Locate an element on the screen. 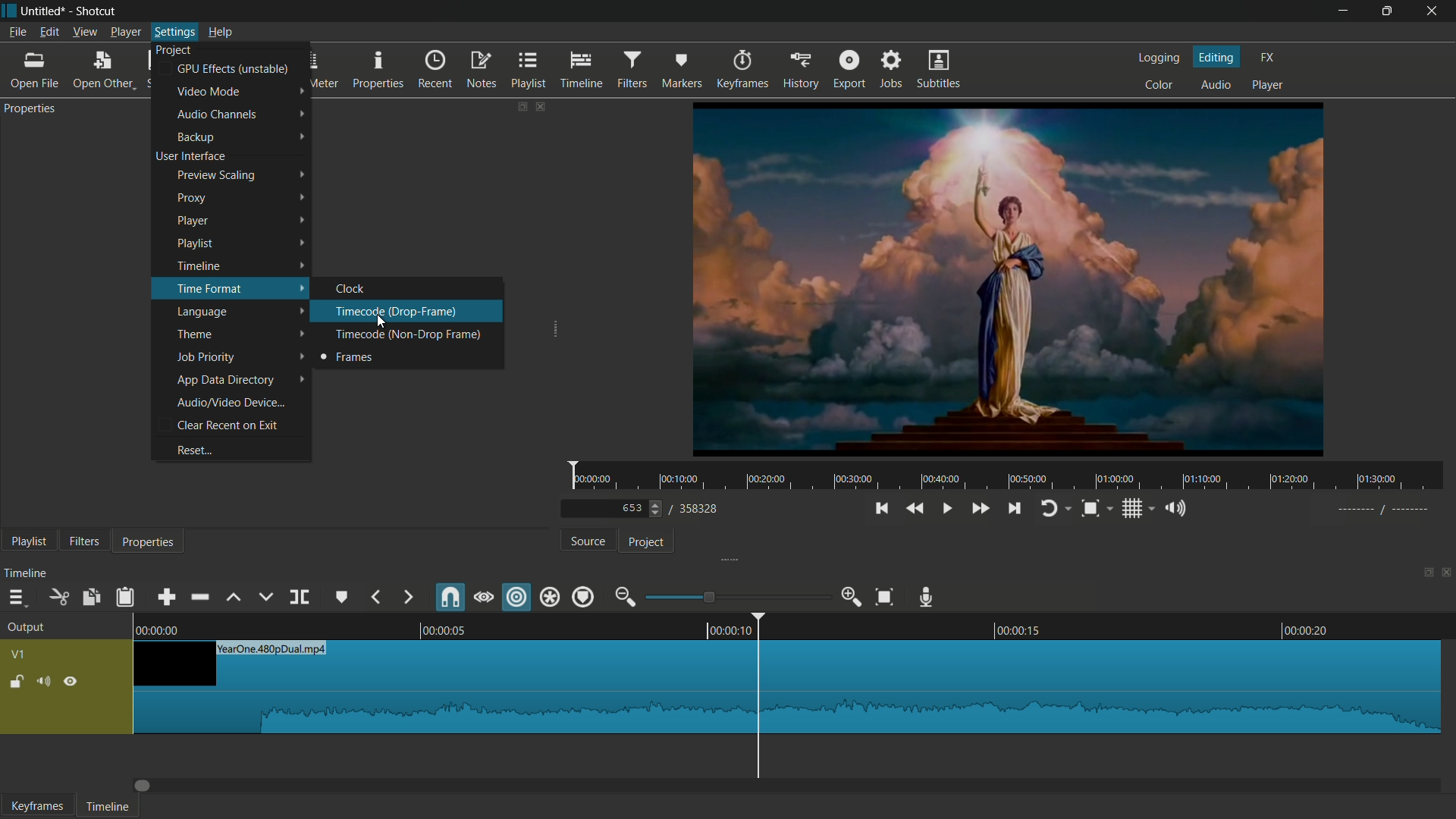 This screenshot has width=1456, height=819. record audio is located at coordinates (927, 598).